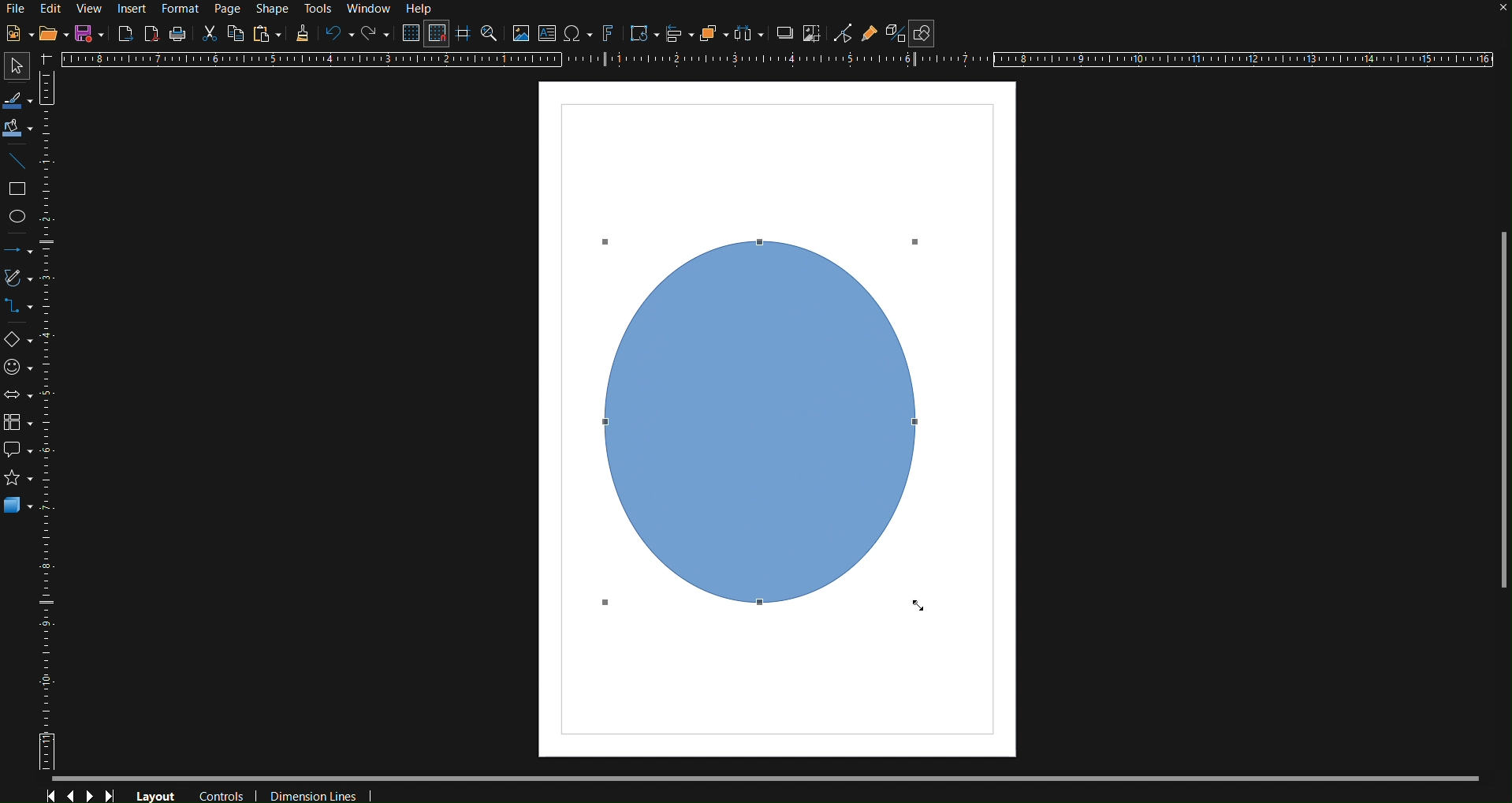  I want to click on Export as PDF, so click(151, 33).